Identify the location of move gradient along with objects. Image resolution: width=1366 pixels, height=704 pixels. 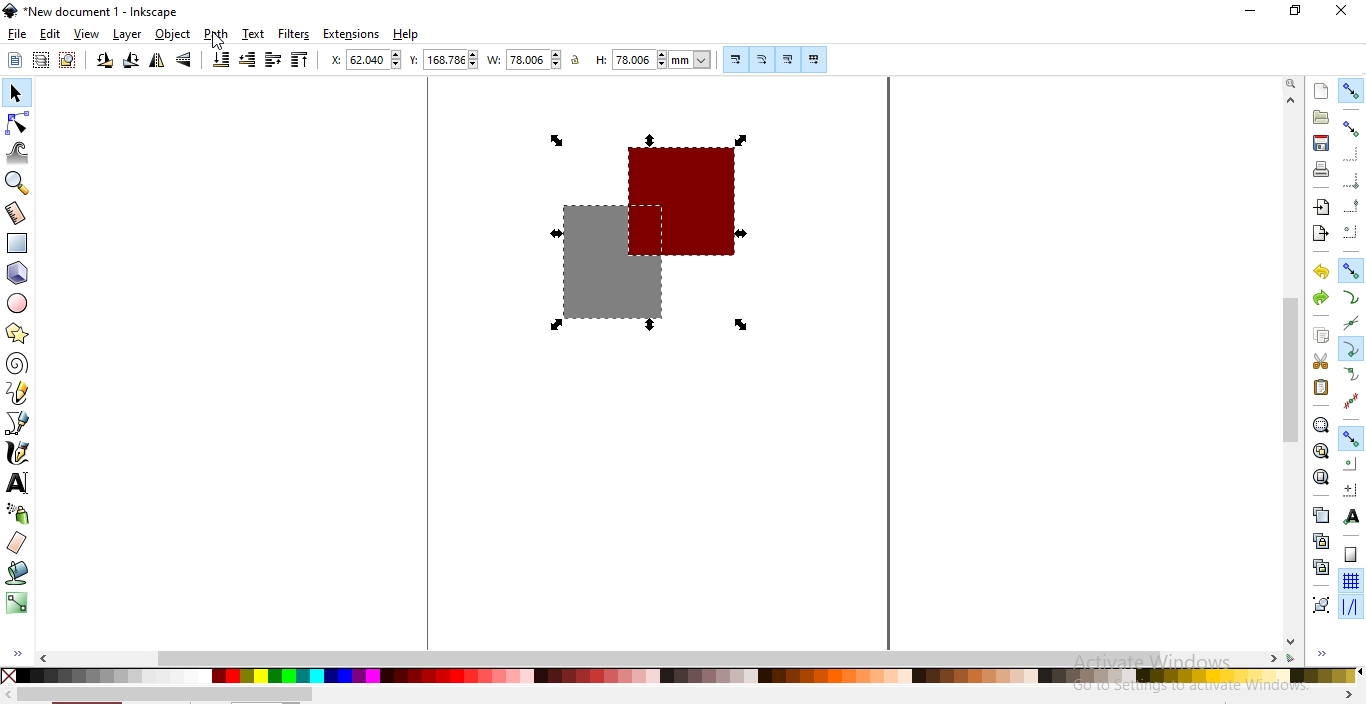
(788, 60).